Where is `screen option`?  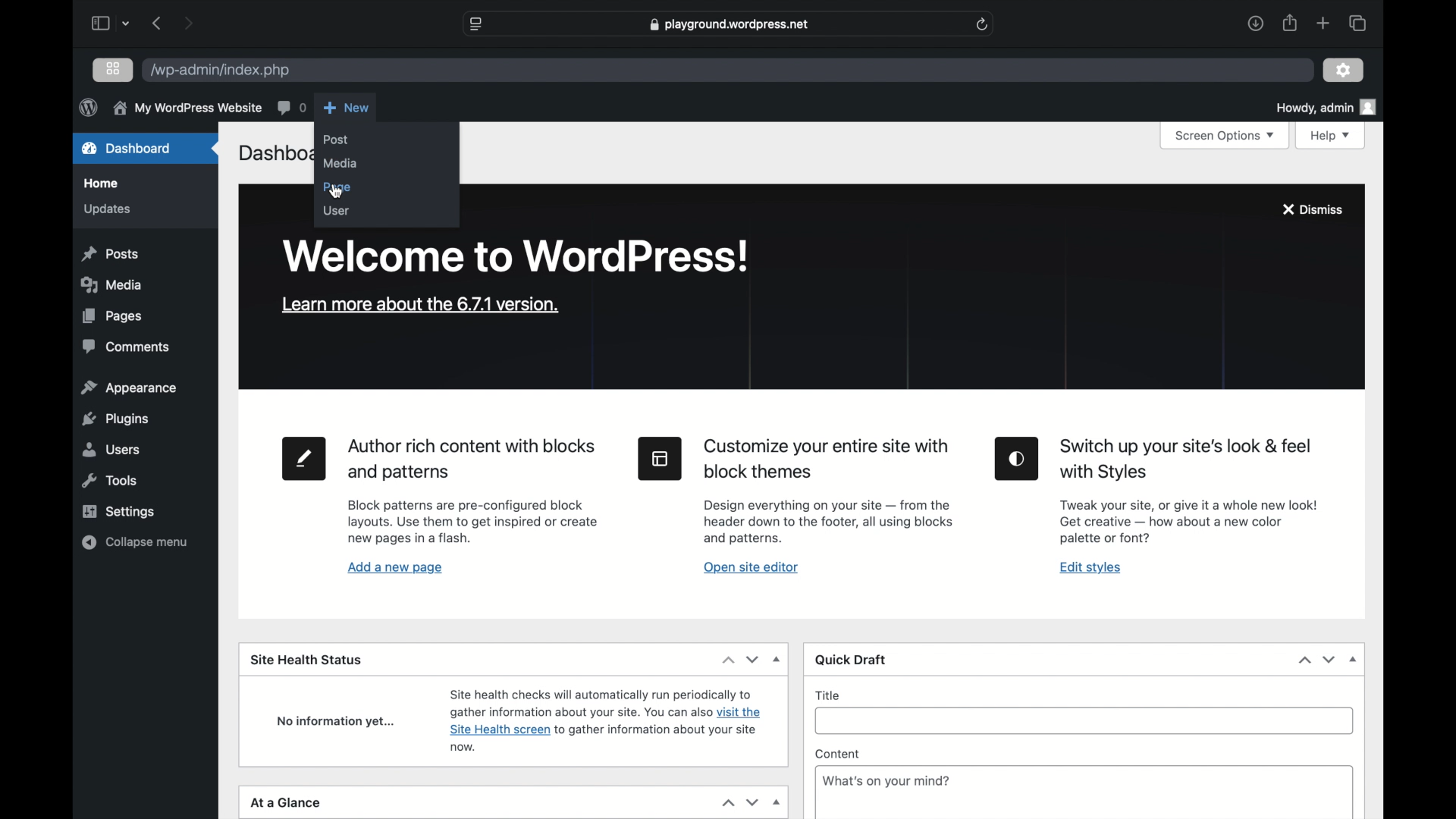
screen option is located at coordinates (1225, 136).